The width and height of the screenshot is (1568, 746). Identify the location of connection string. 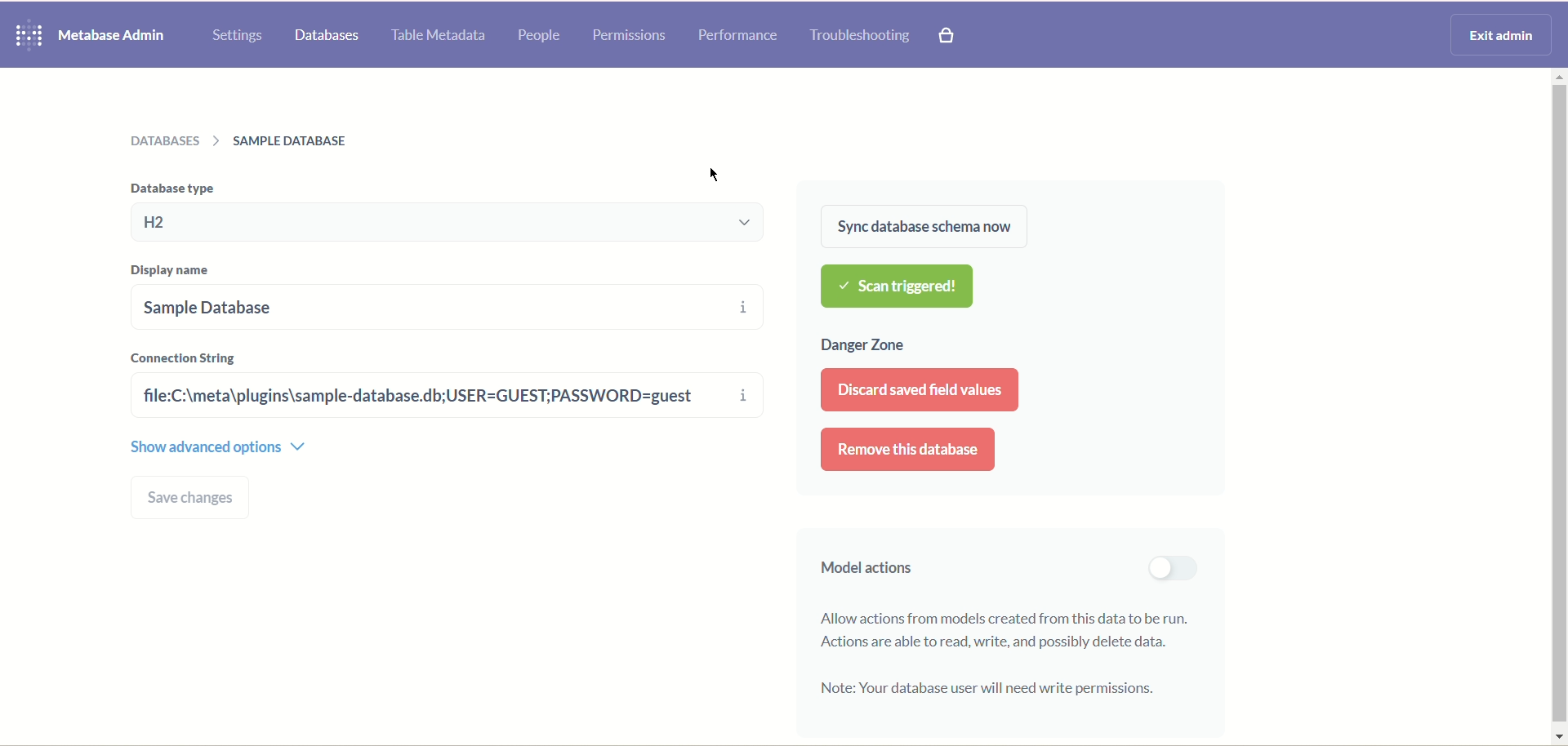
(425, 396).